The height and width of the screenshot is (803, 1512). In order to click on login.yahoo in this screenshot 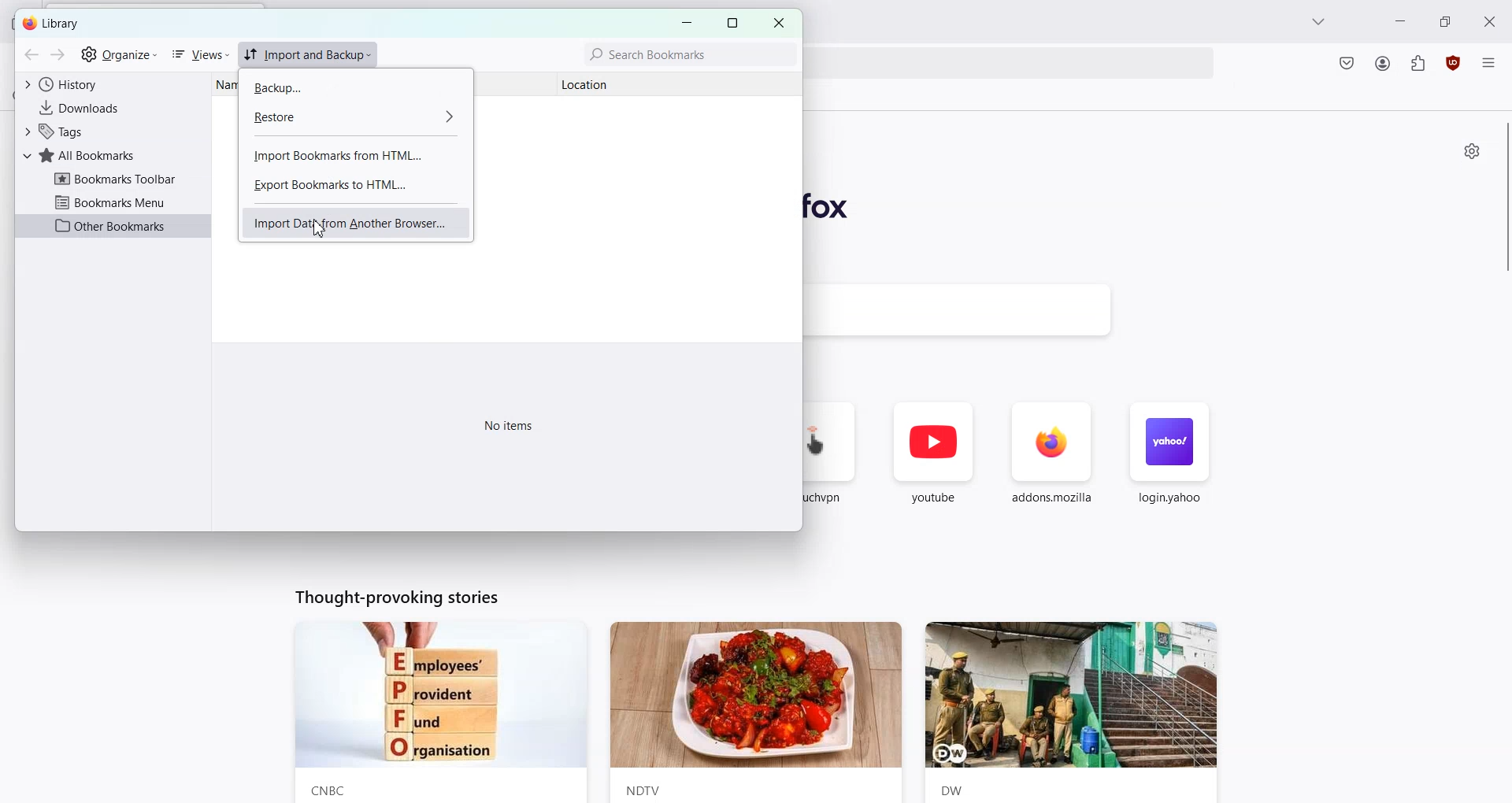, I will do `click(1168, 462)`.